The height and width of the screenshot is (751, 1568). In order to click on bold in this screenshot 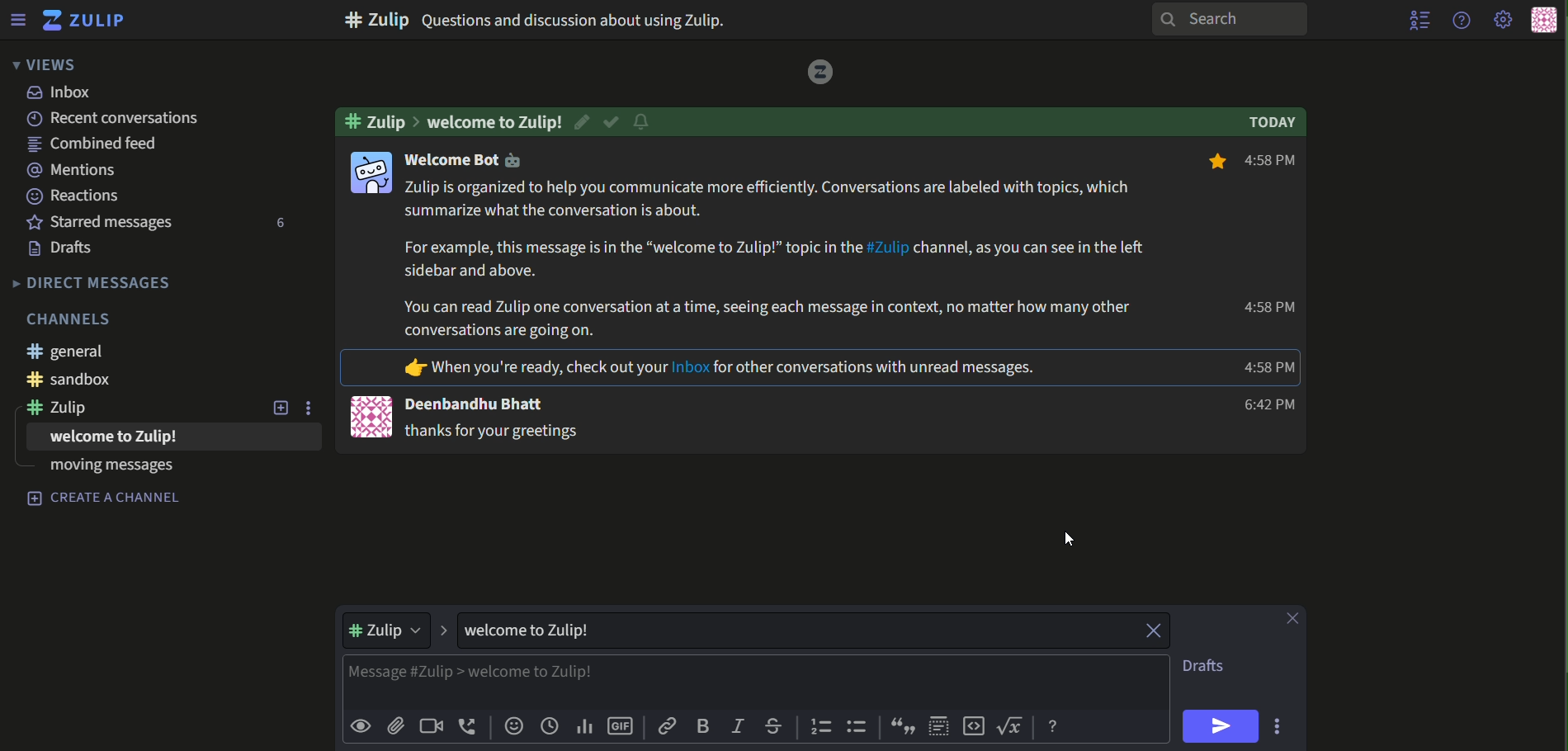, I will do `click(705, 727)`.